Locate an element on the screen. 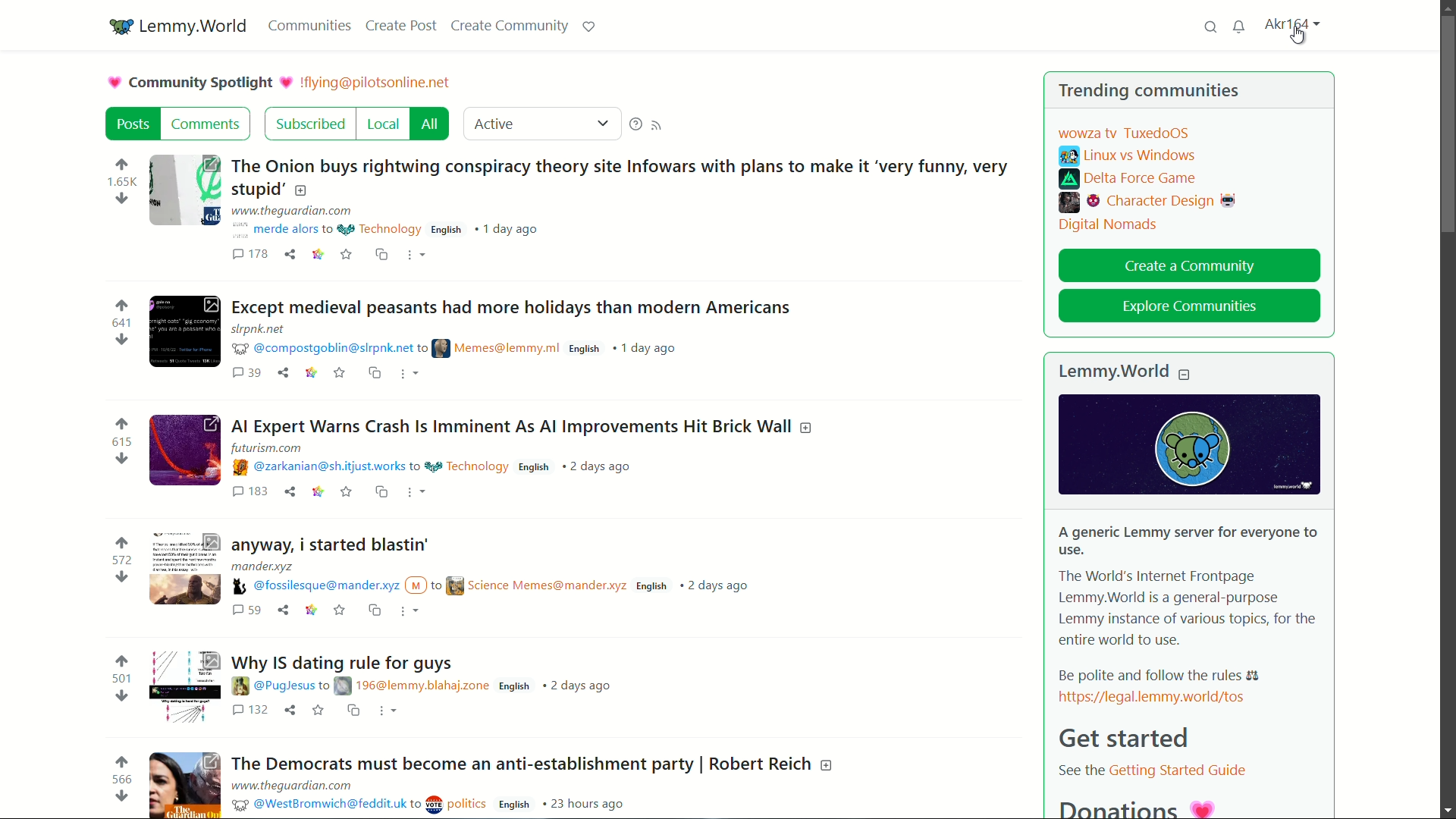 Image resolution: width=1456 pixels, height=819 pixels. image is located at coordinates (1178, 442).